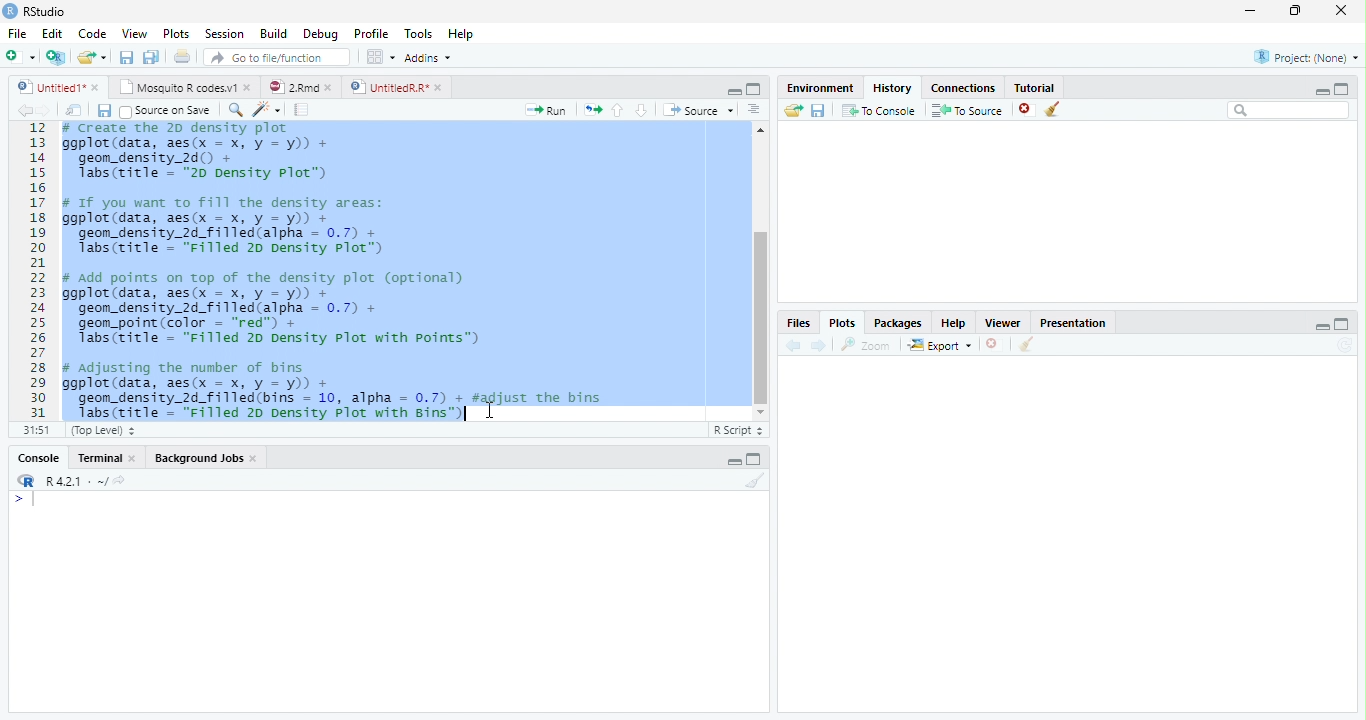 The image size is (1366, 720). What do you see at coordinates (52, 112) in the screenshot?
I see `next` at bounding box center [52, 112].